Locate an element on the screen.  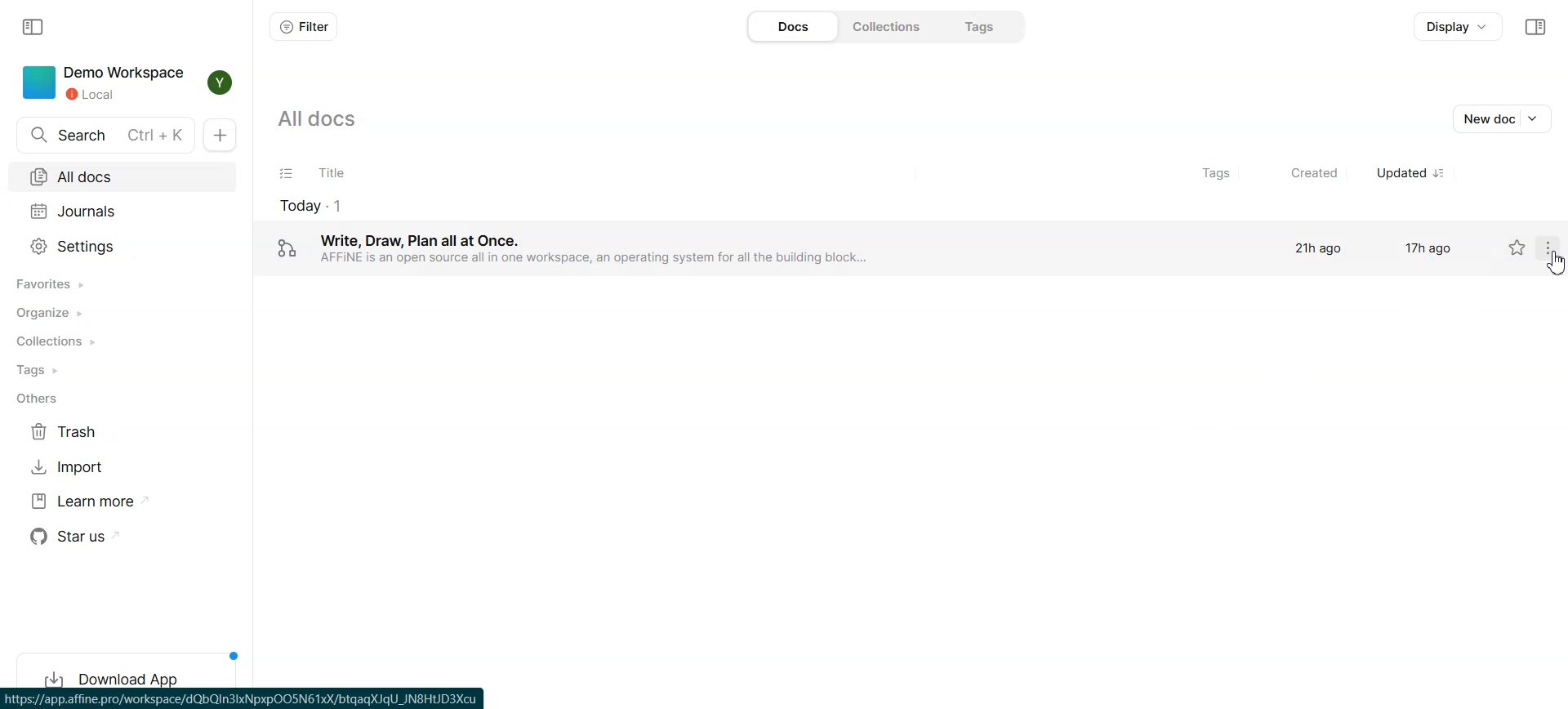
All docs is located at coordinates (342, 118).